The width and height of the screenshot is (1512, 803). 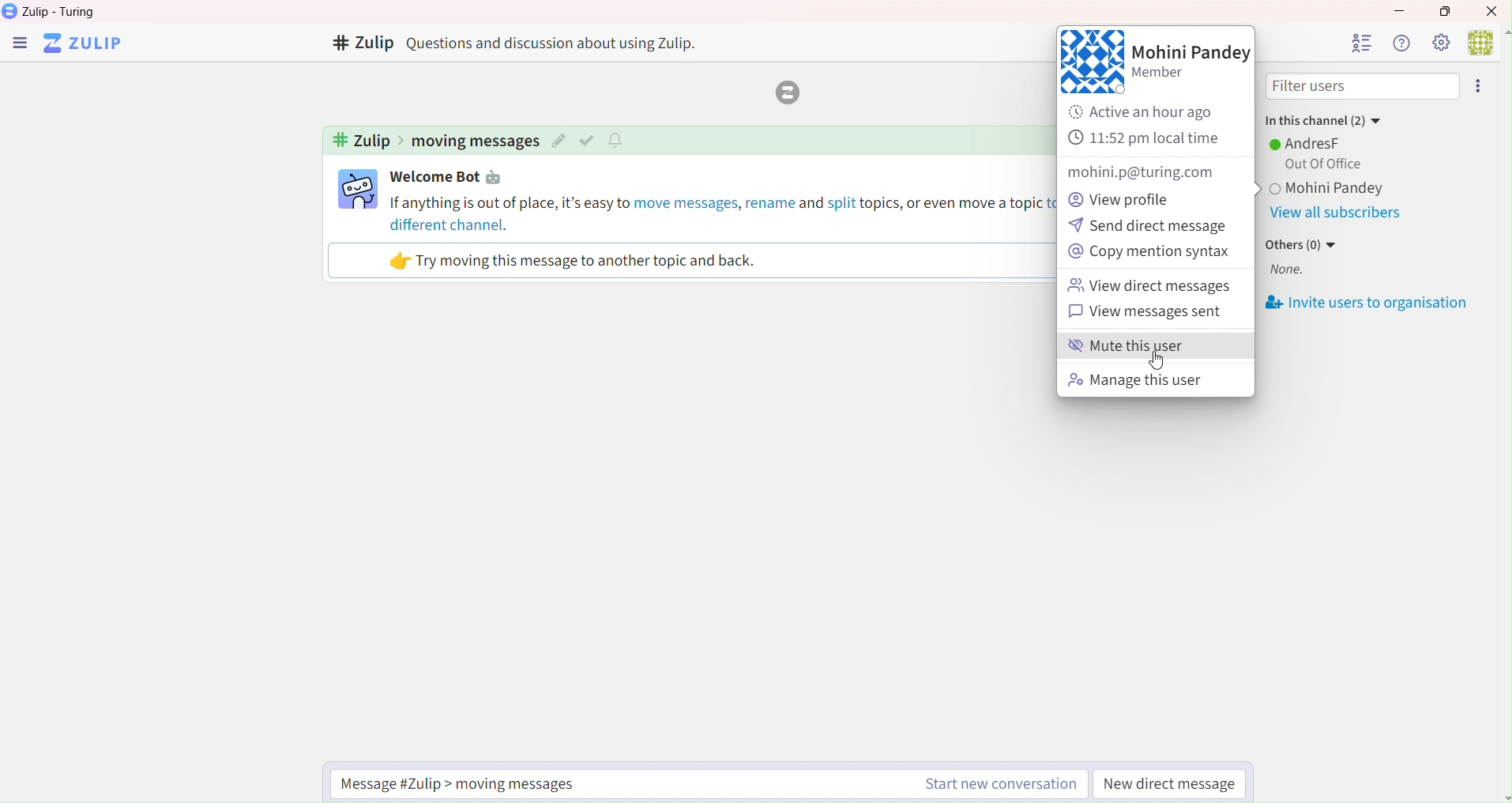 What do you see at coordinates (1157, 313) in the screenshot?
I see `view messages sent` at bounding box center [1157, 313].